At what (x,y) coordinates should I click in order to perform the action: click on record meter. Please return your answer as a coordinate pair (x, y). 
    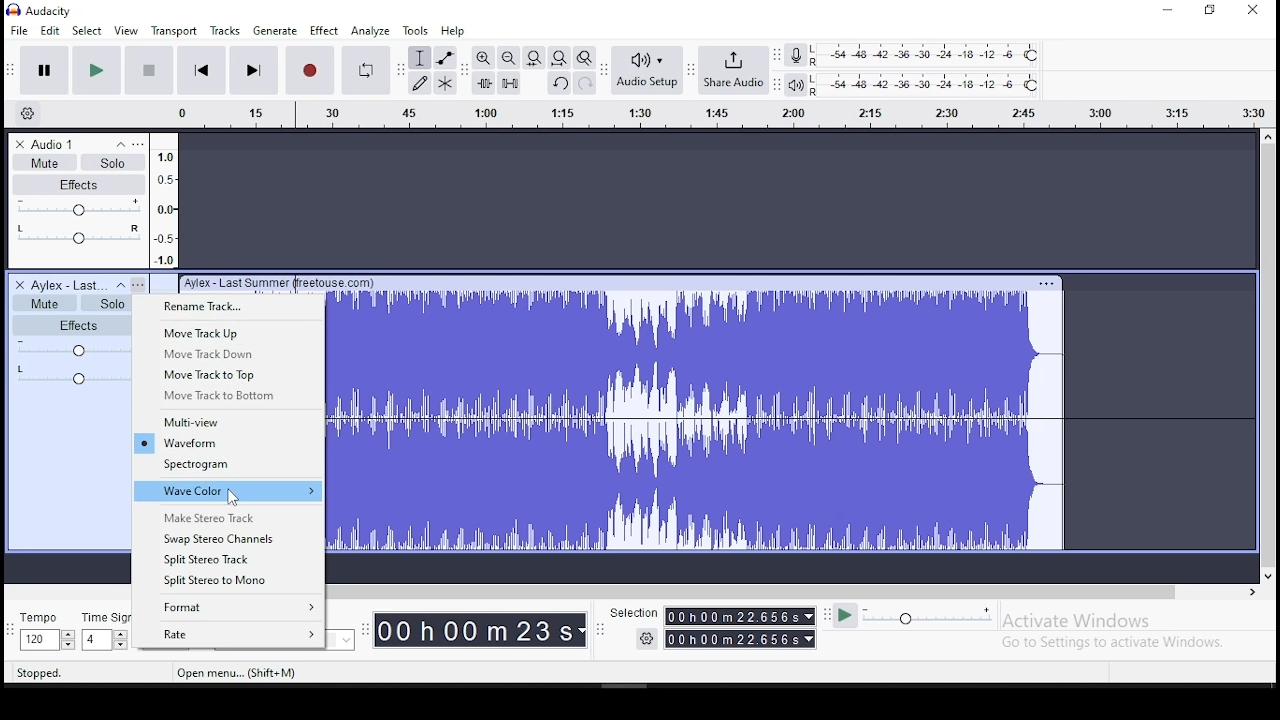
    Looking at the image, I should click on (796, 56).